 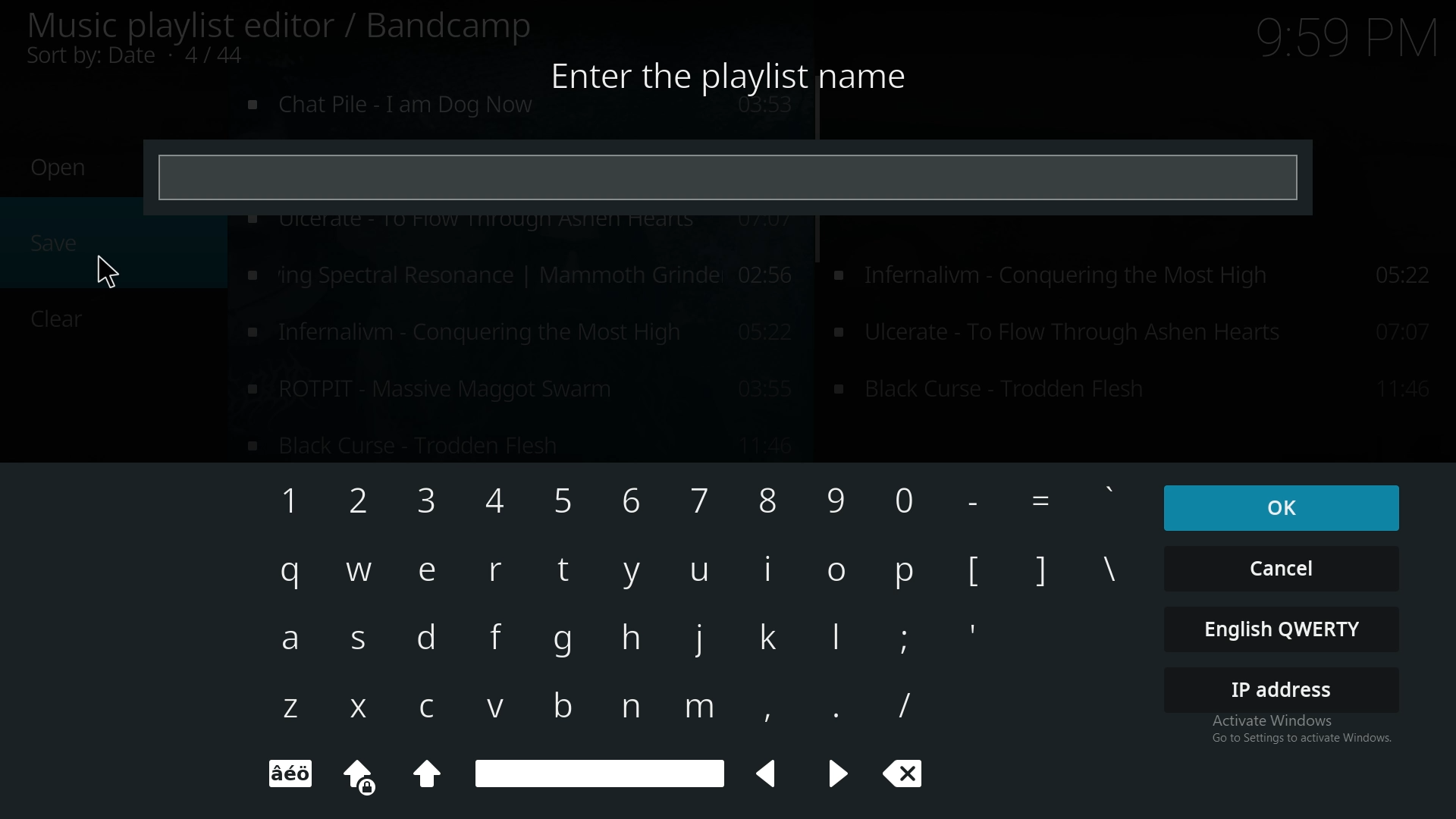 I want to click on keyboard input, so click(x=977, y=502).